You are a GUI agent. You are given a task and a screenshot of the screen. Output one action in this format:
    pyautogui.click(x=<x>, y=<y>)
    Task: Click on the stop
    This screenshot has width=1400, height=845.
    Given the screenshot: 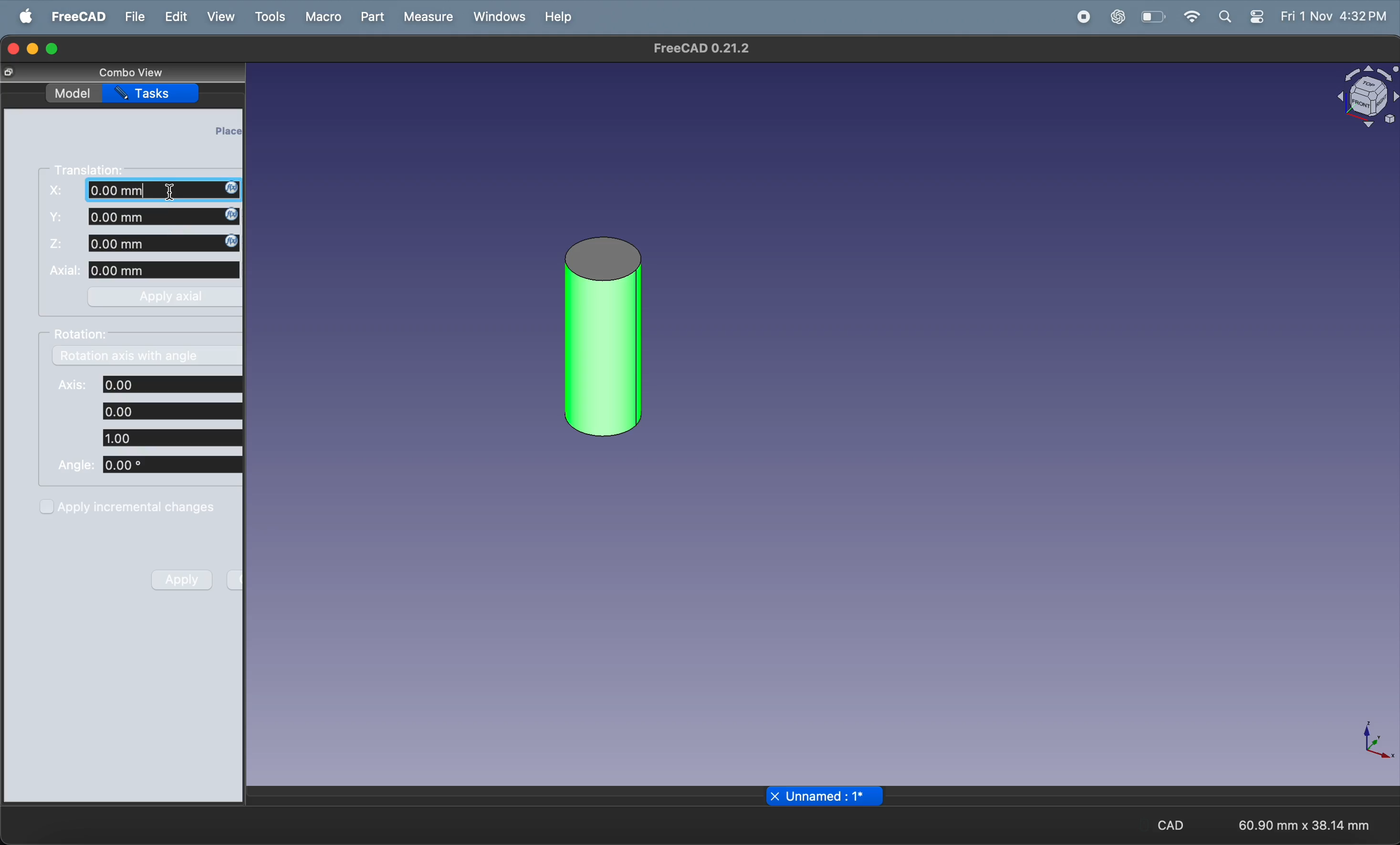 What is the action you would take?
    pyautogui.click(x=1039, y=17)
    